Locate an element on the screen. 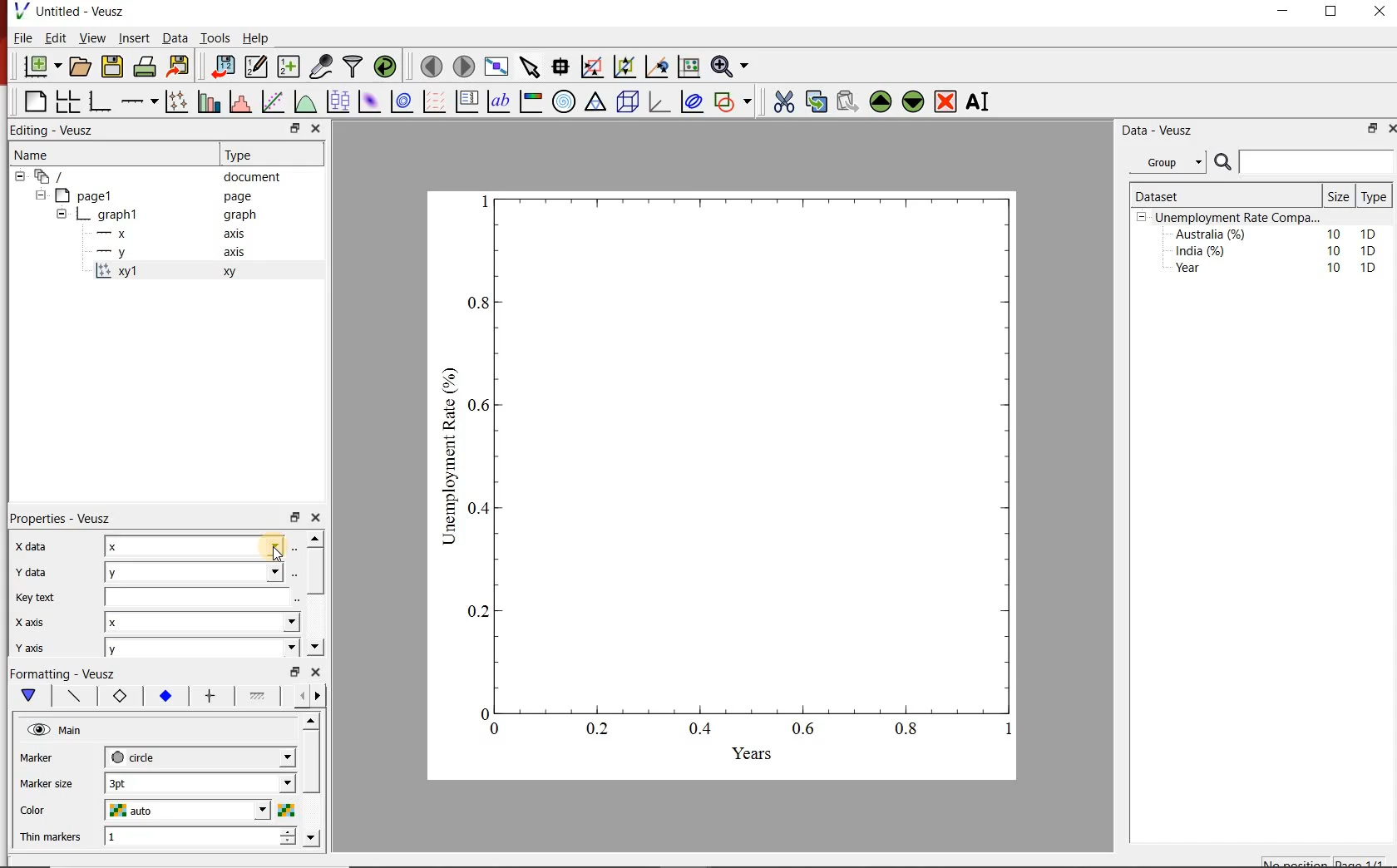  blank page is located at coordinates (34, 100).